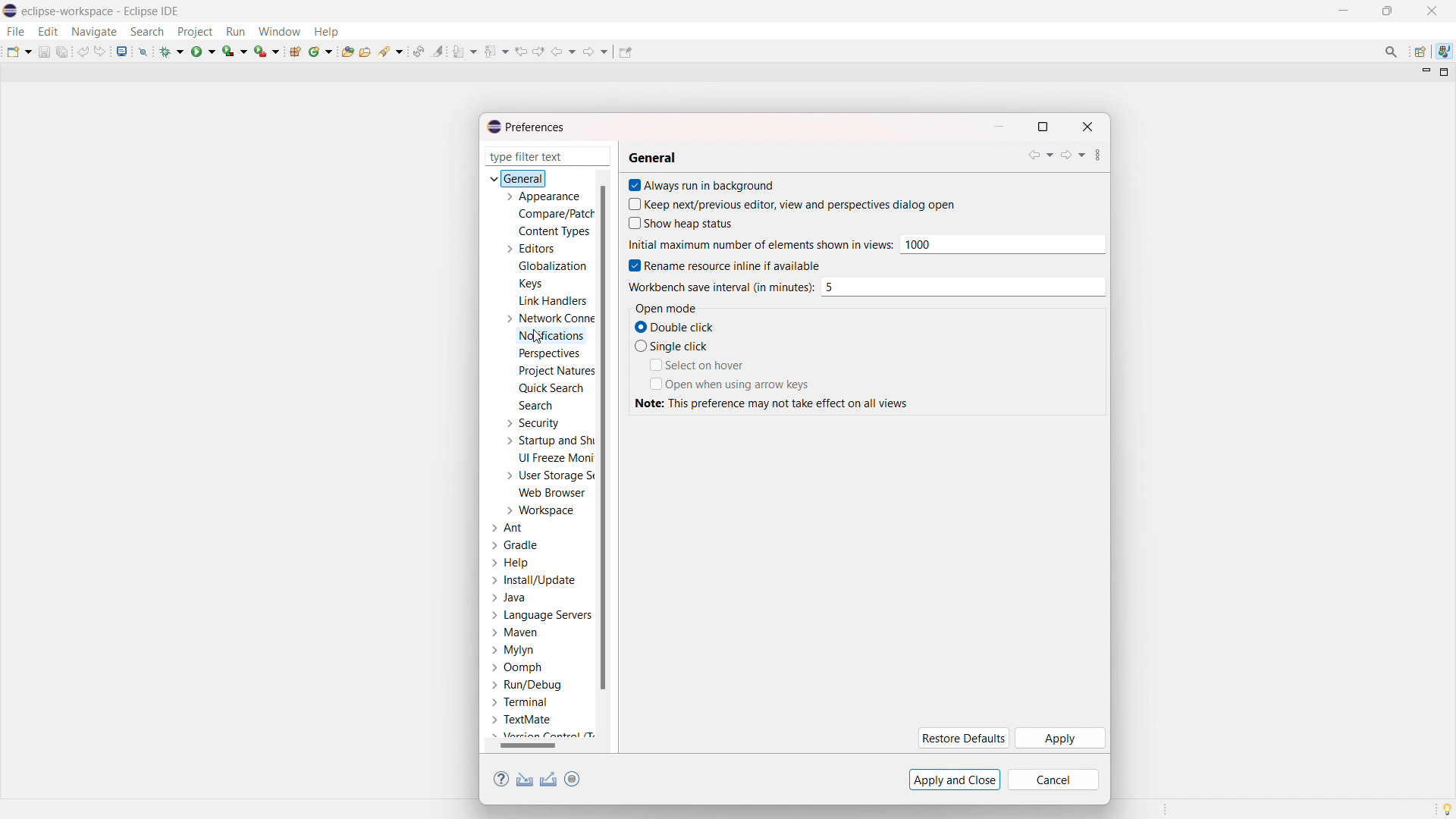 This screenshot has height=819, width=1456. Describe the element at coordinates (93, 31) in the screenshot. I see `navigate` at that location.